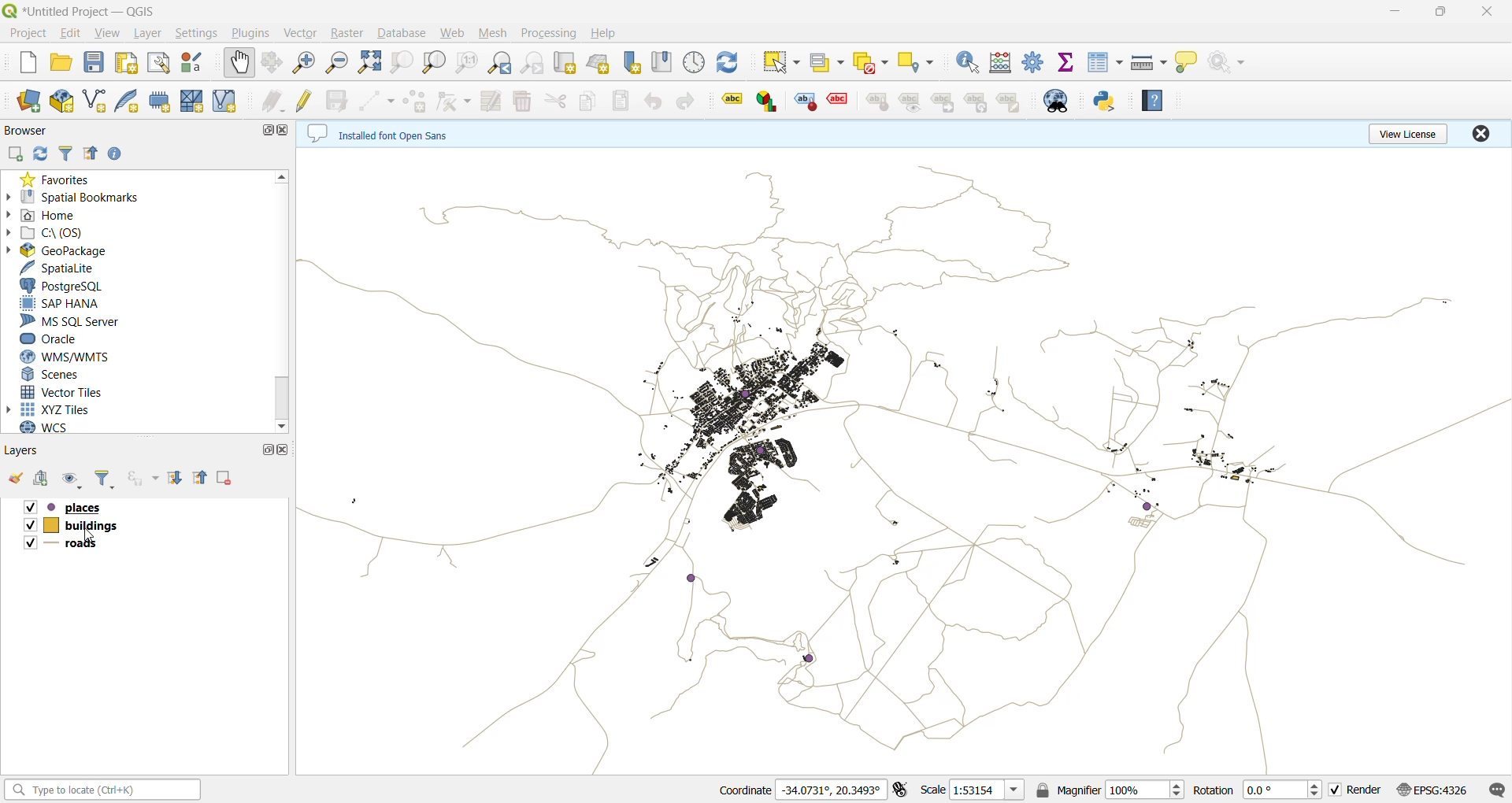 This screenshot has height=803, width=1512. What do you see at coordinates (603, 33) in the screenshot?
I see `help` at bounding box center [603, 33].